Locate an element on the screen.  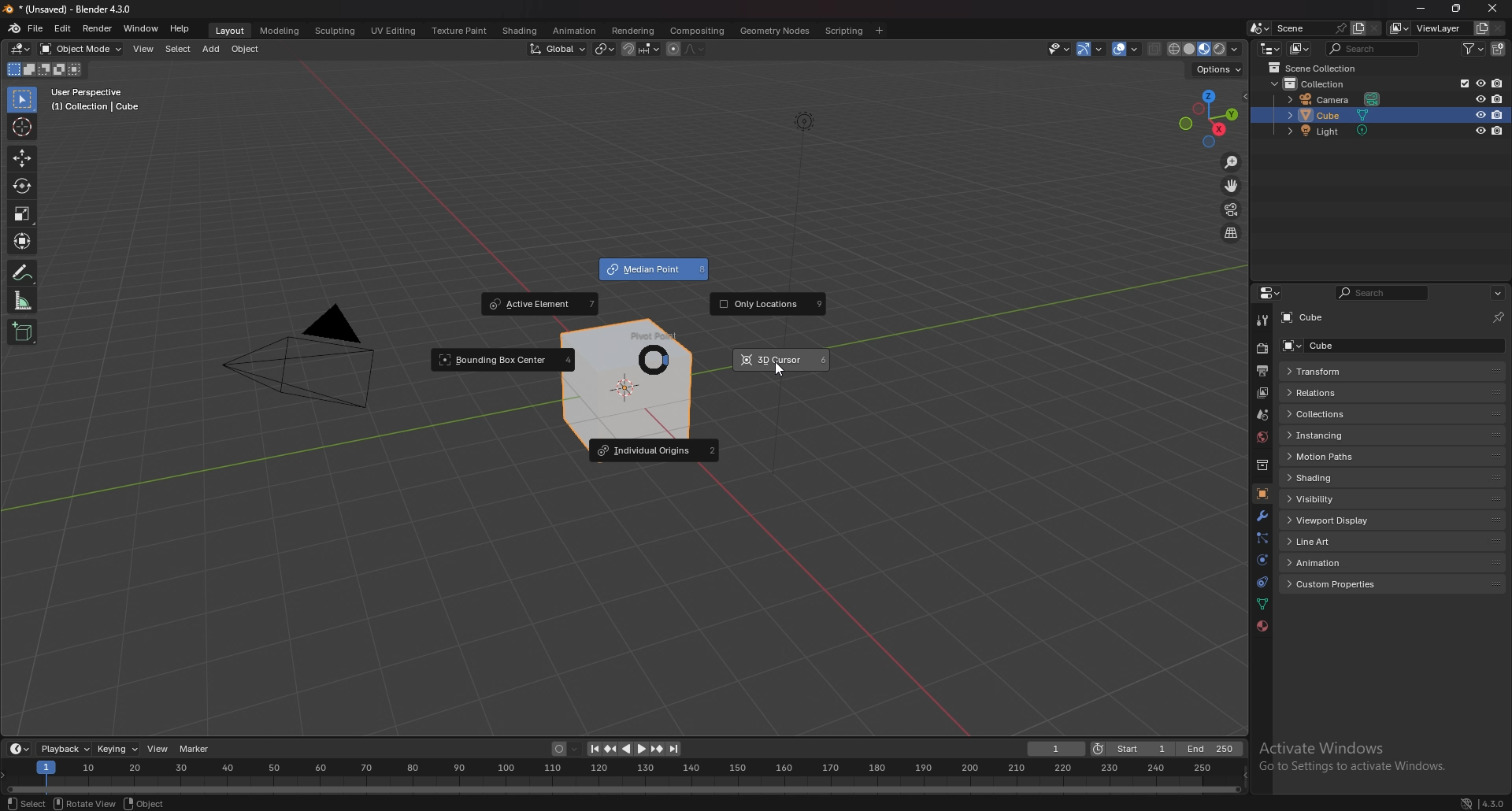
end frame is located at coordinates (1209, 749).